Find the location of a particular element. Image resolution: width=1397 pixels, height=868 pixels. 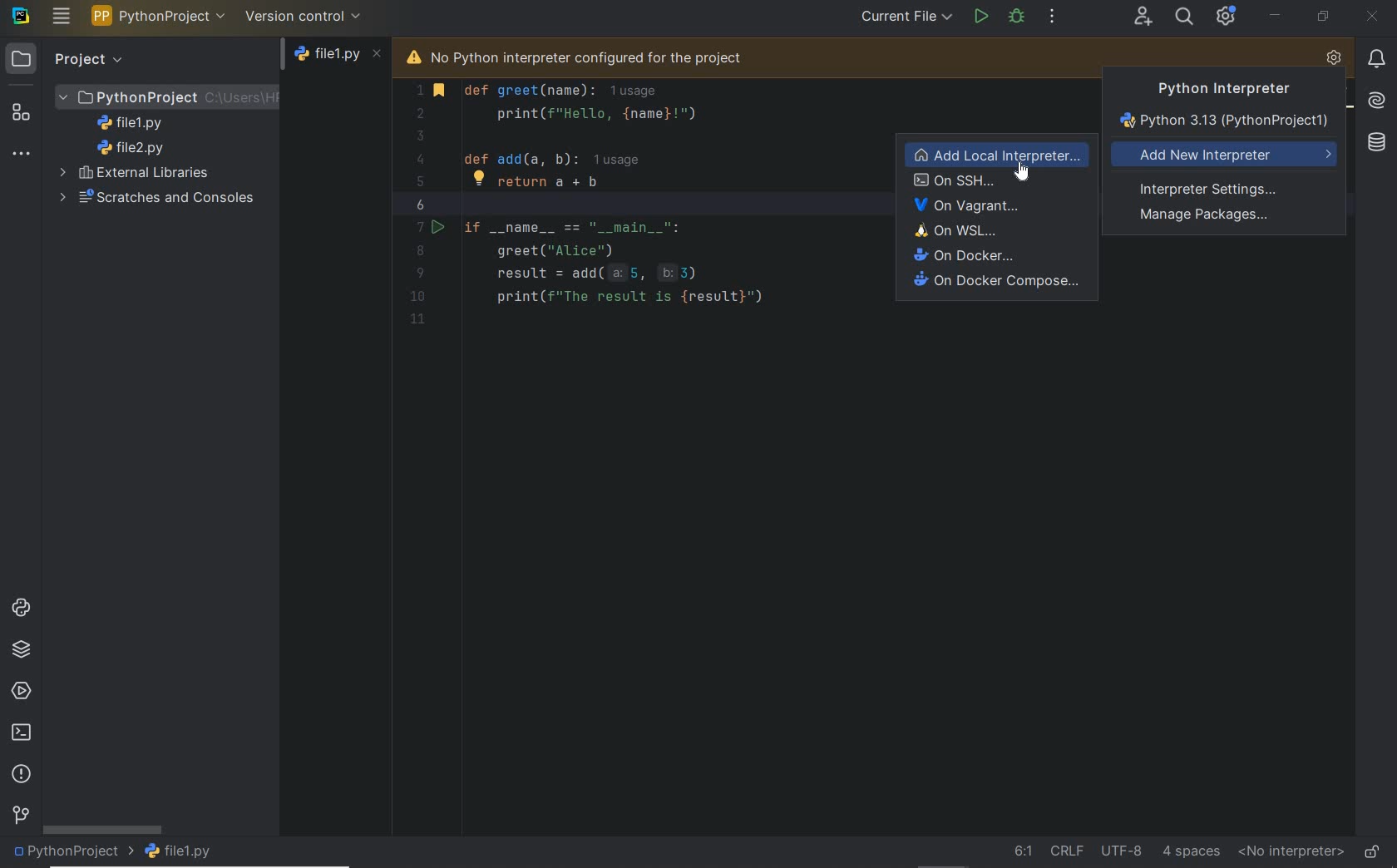

MINIMIZE is located at coordinates (1276, 15).